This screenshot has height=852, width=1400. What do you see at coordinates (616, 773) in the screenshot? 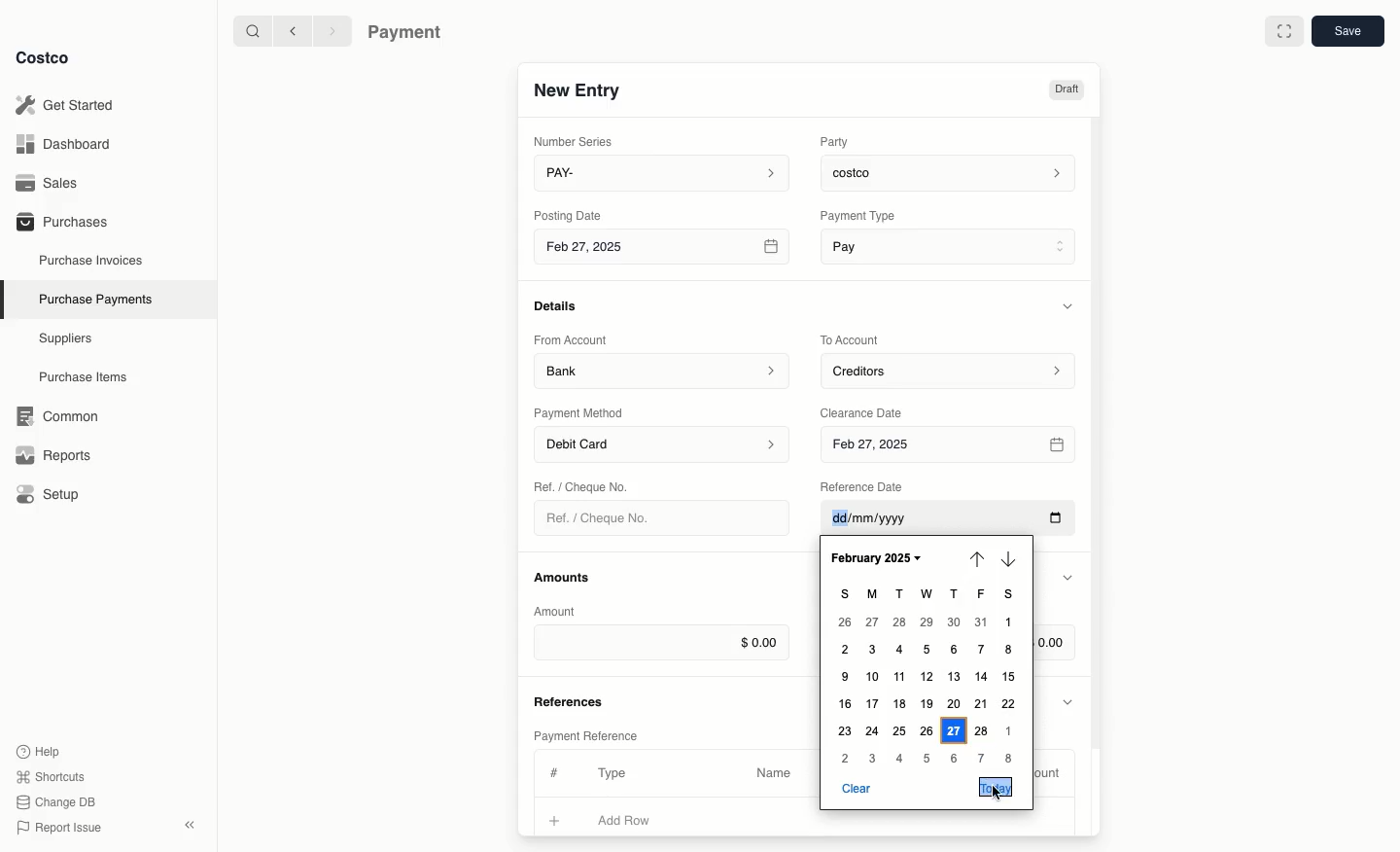
I see `Type` at bounding box center [616, 773].